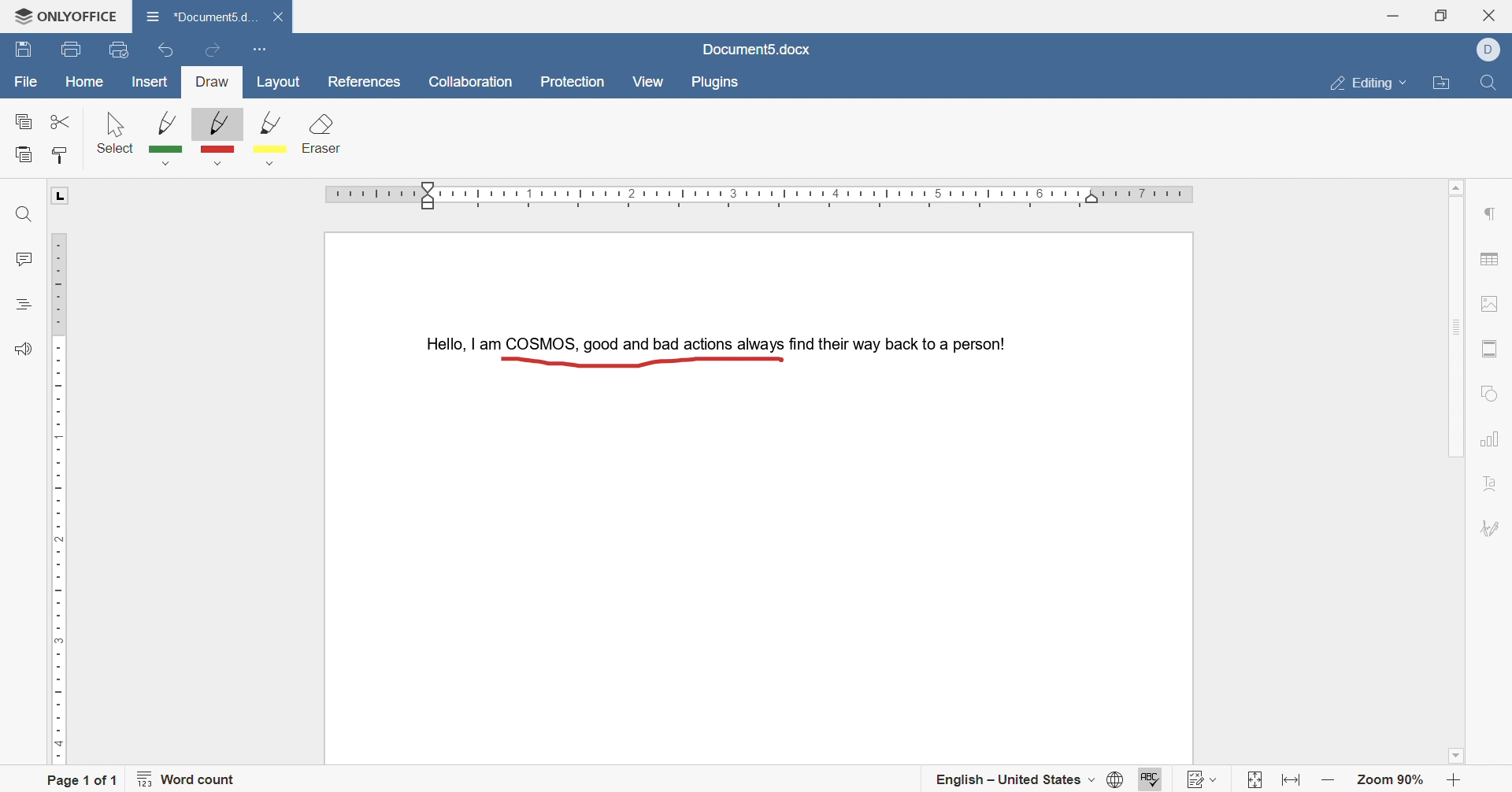  Describe the element at coordinates (1453, 781) in the screenshot. I see `zoom in` at that location.